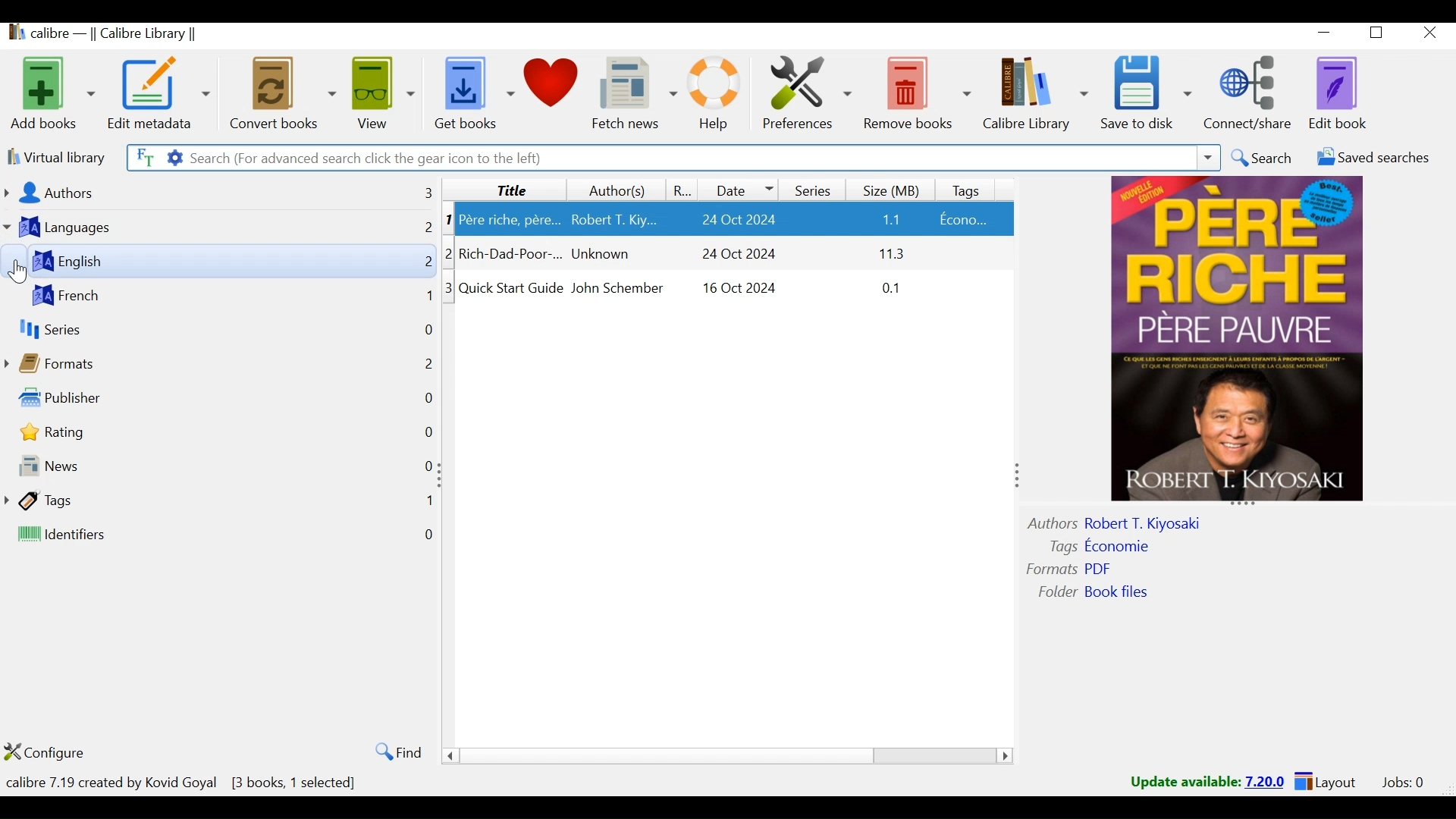  I want to click on 3, so click(416, 191).